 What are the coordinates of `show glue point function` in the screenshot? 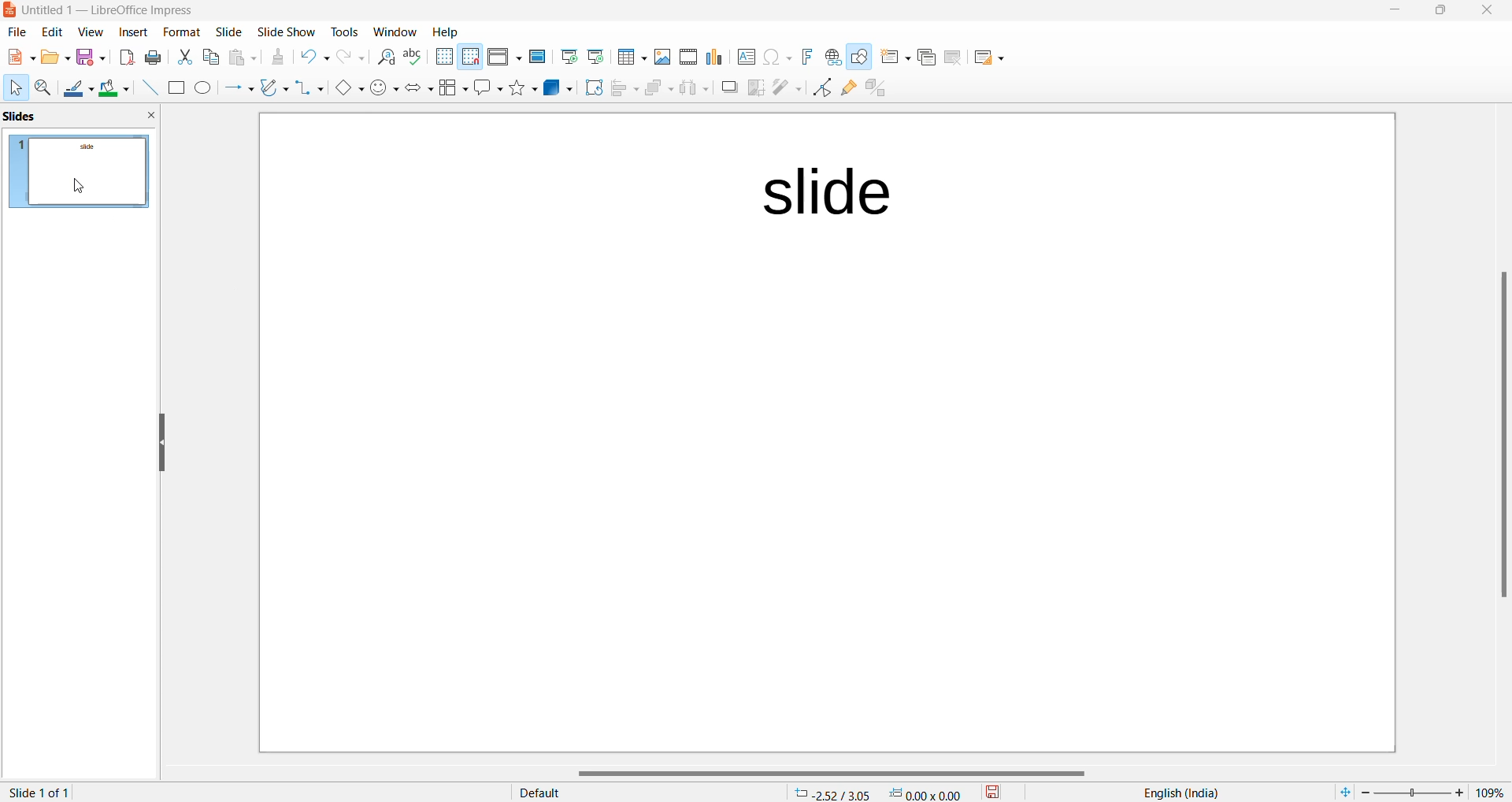 It's located at (850, 91).